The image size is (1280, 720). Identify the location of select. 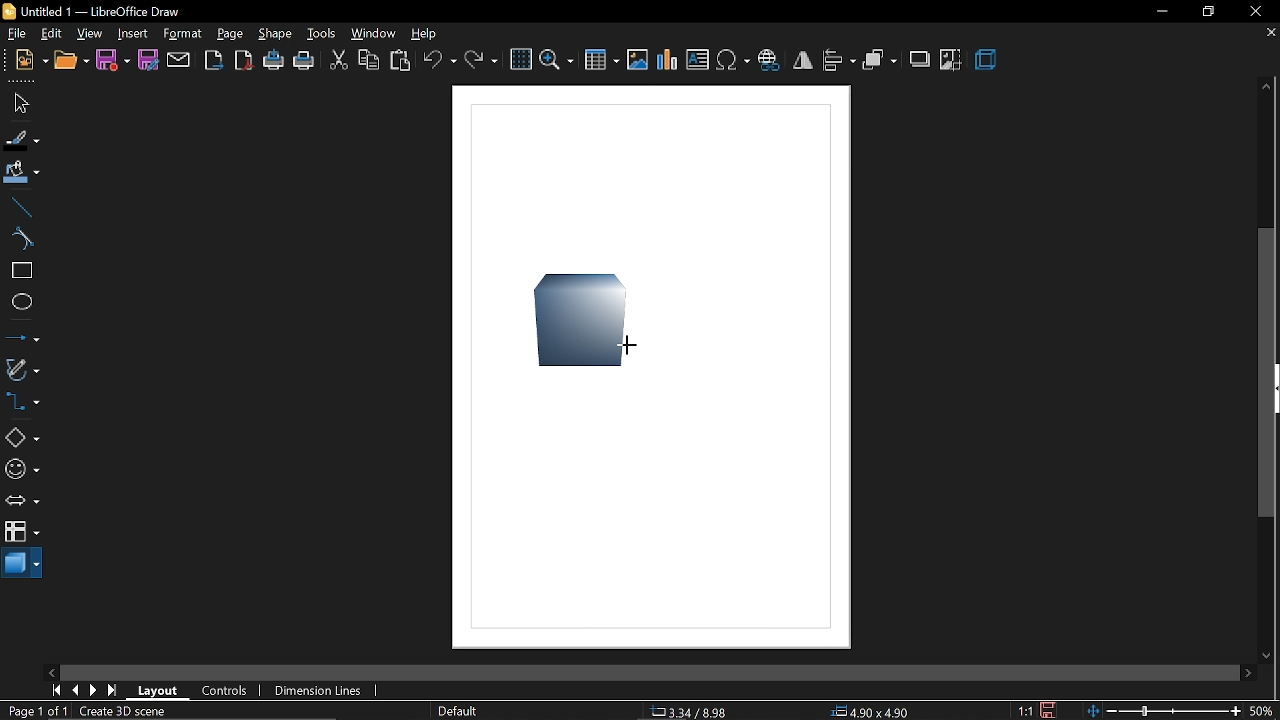
(17, 102).